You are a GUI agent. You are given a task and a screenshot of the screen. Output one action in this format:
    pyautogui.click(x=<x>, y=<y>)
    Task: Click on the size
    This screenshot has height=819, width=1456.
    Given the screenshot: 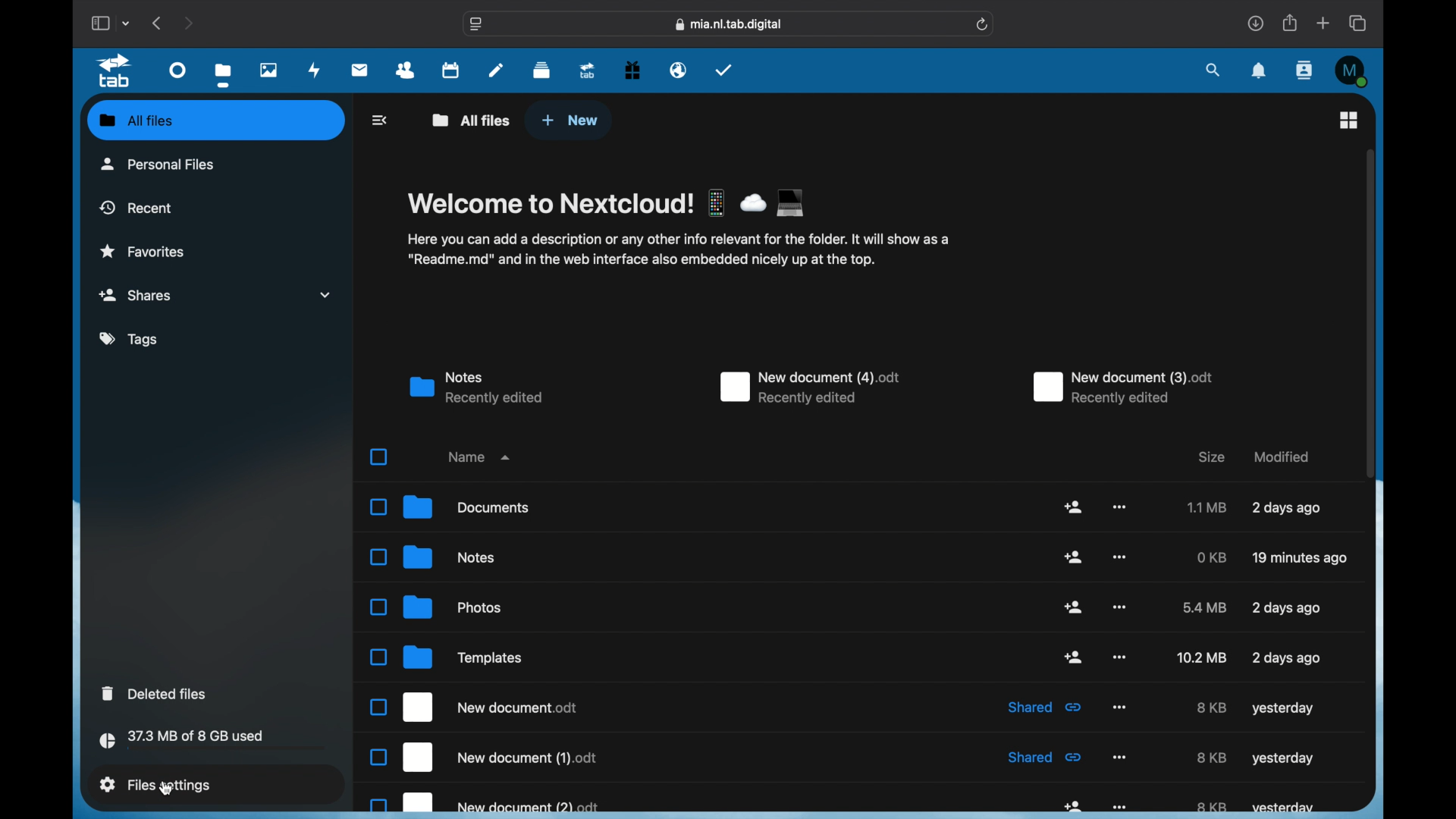 What is the action you would take?
    pyautogui.click(x=1205, y=607)
    